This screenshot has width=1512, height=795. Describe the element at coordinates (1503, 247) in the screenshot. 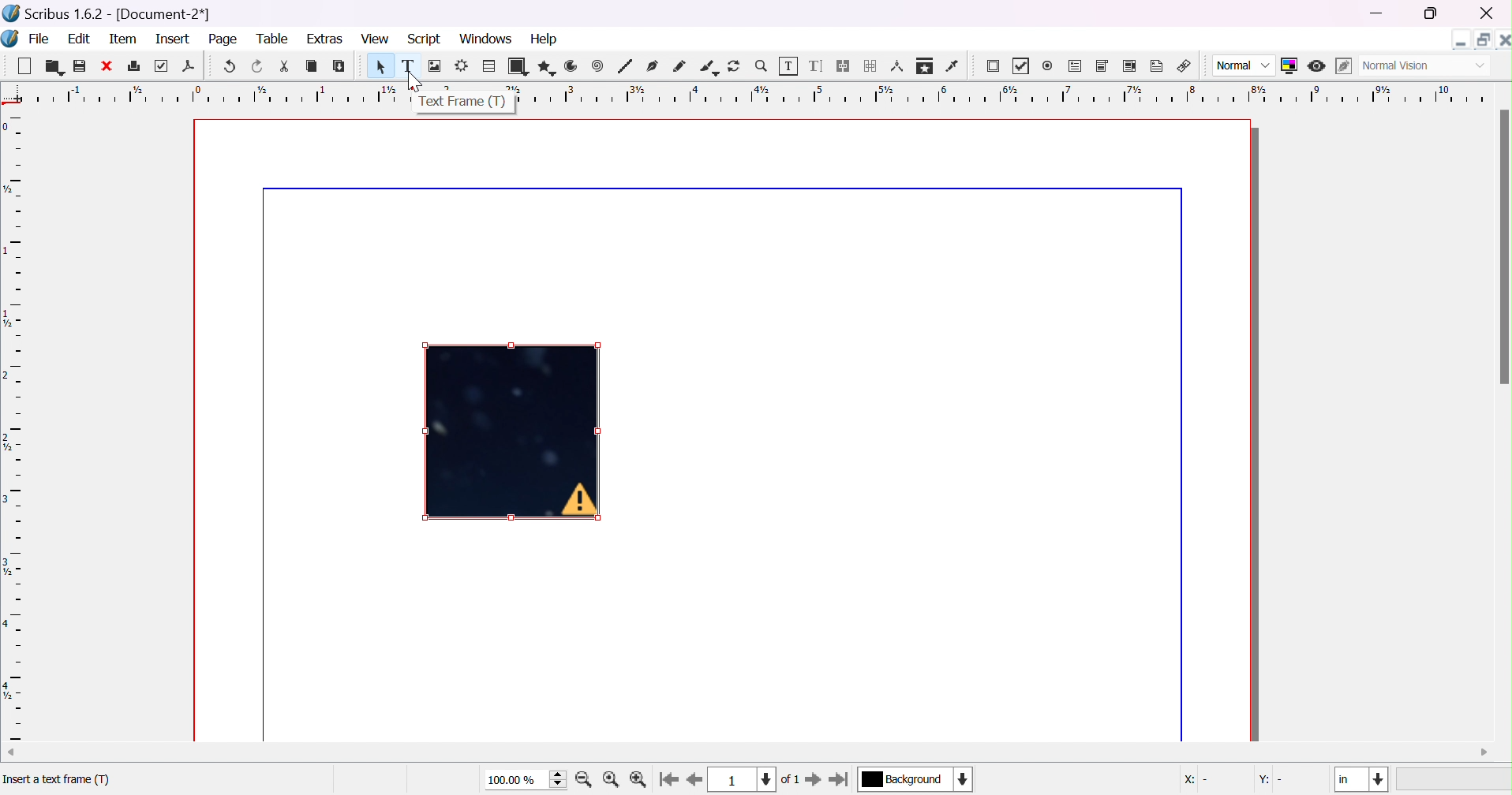

I see `scroll bar` at that location.